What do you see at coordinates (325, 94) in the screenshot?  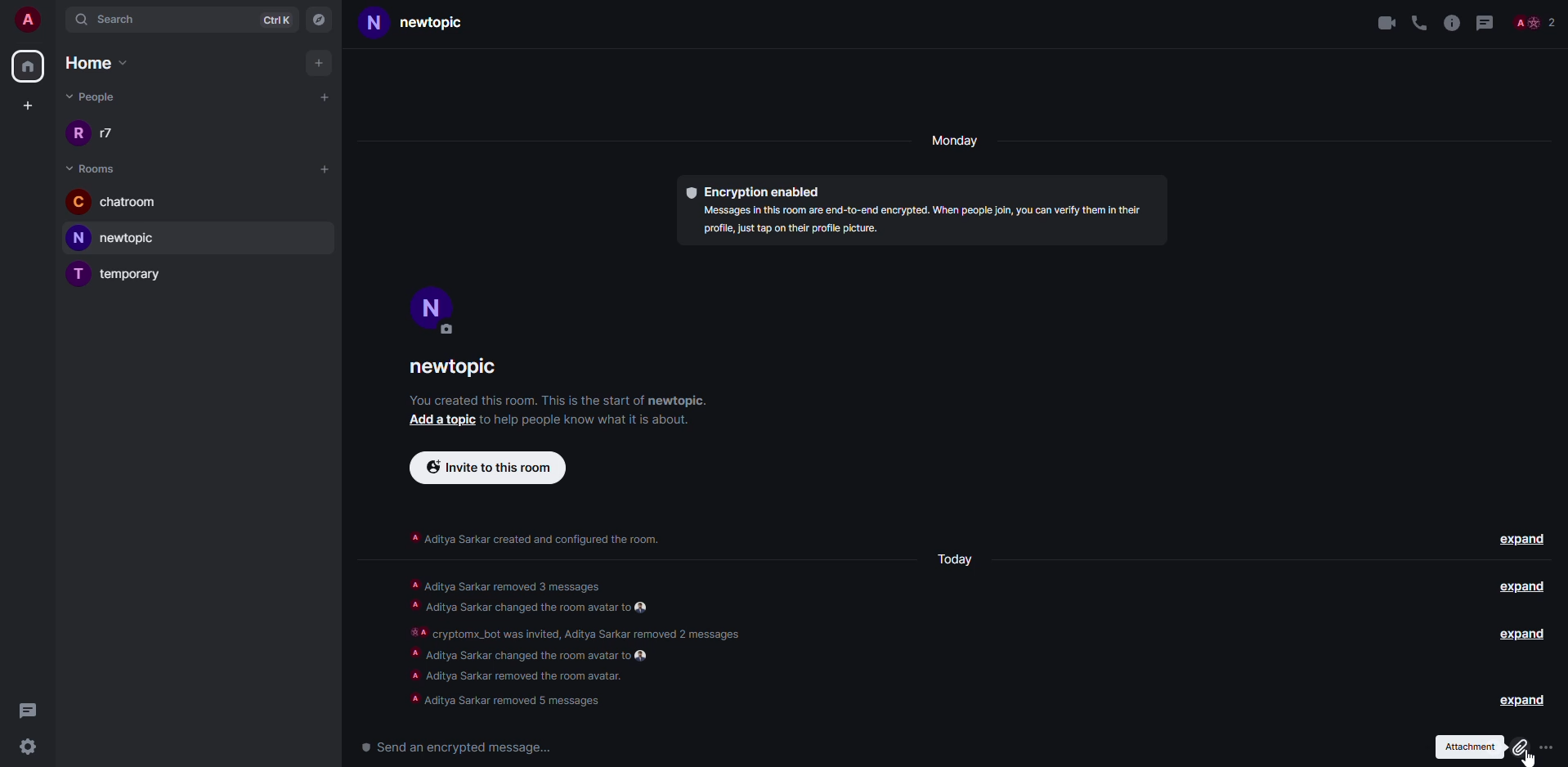 I see `add` at bounding box center [325, 94].